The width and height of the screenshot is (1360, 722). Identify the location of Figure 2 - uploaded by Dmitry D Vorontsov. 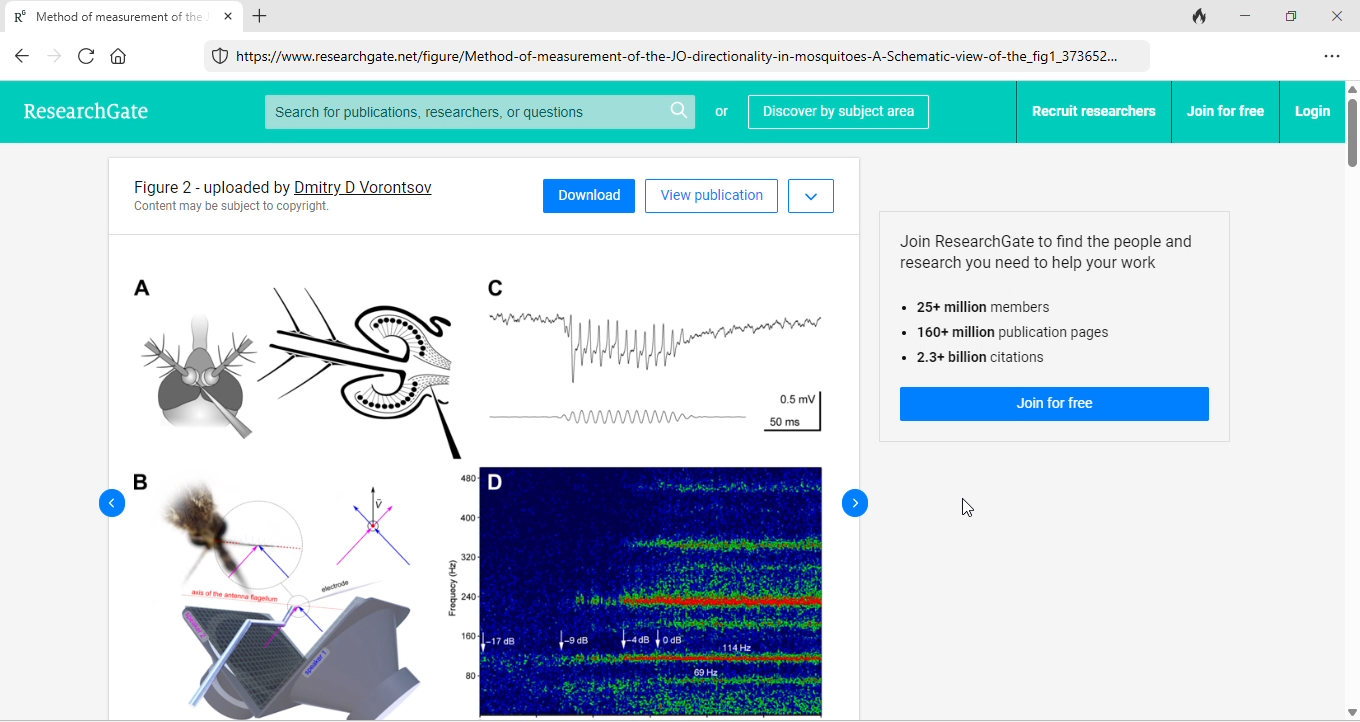
(203, 187).